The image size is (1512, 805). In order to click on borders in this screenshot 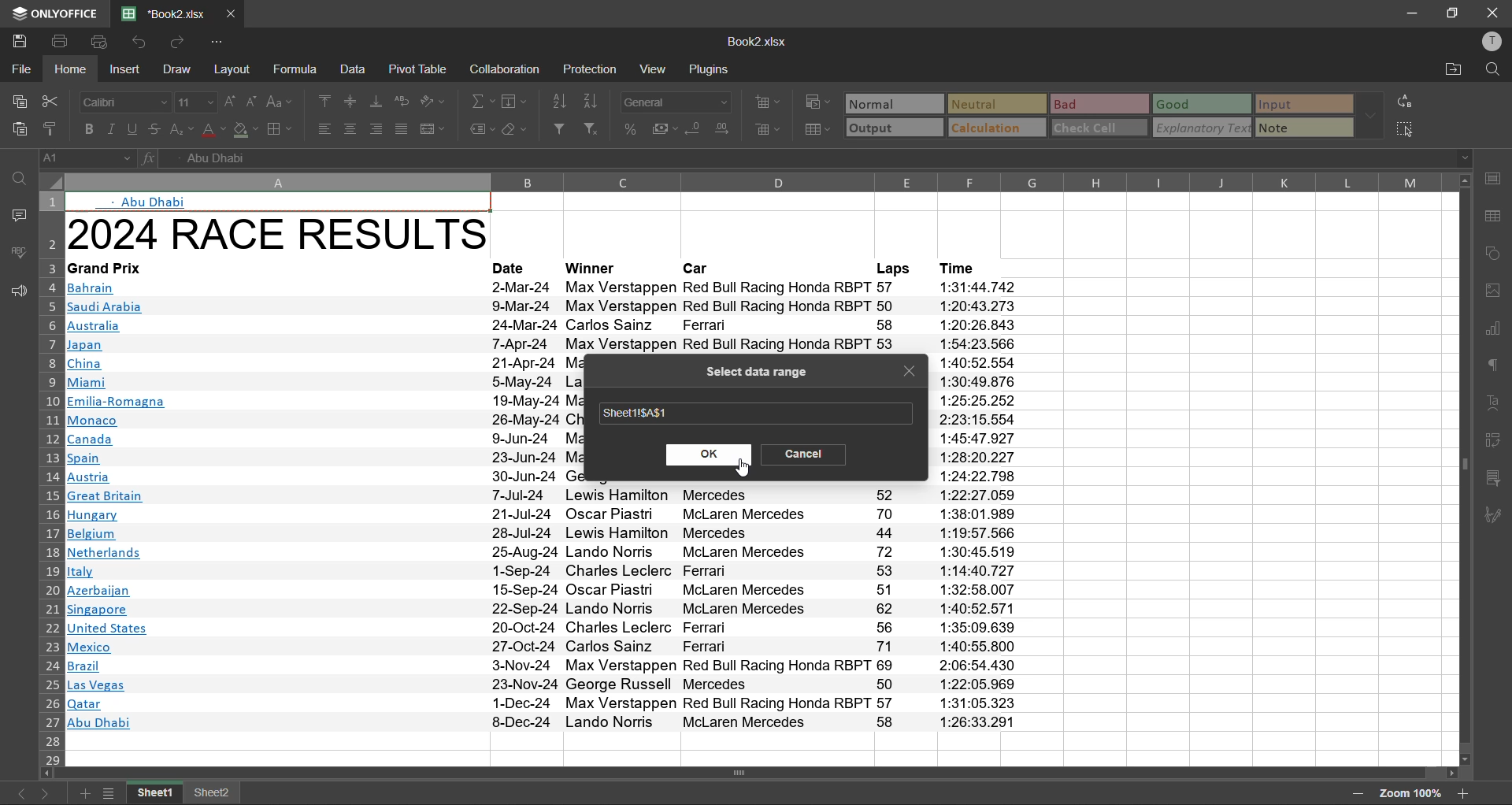, I will do `click(279, 130)`.